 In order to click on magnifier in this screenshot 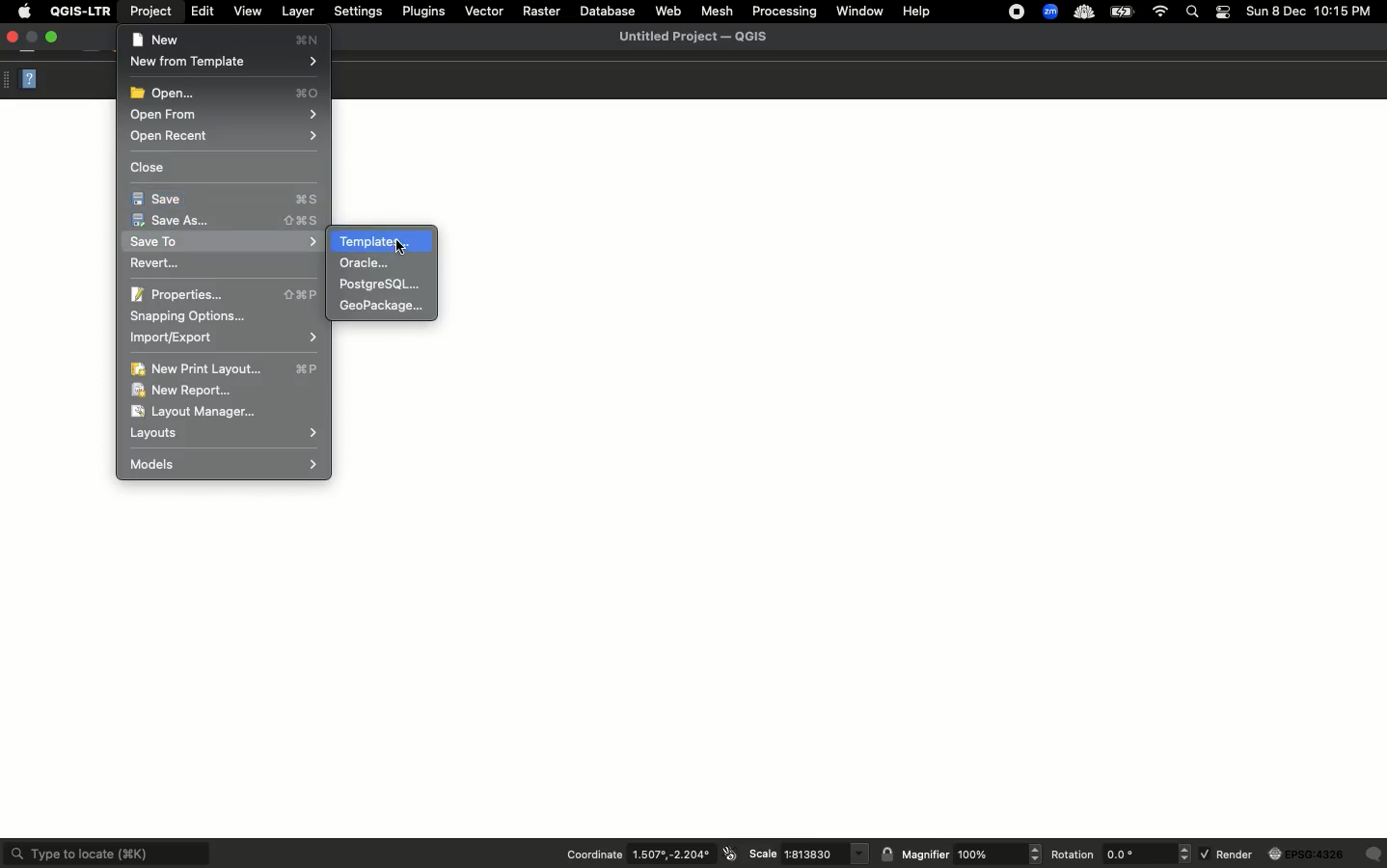, I will do `click(999, 854)`.